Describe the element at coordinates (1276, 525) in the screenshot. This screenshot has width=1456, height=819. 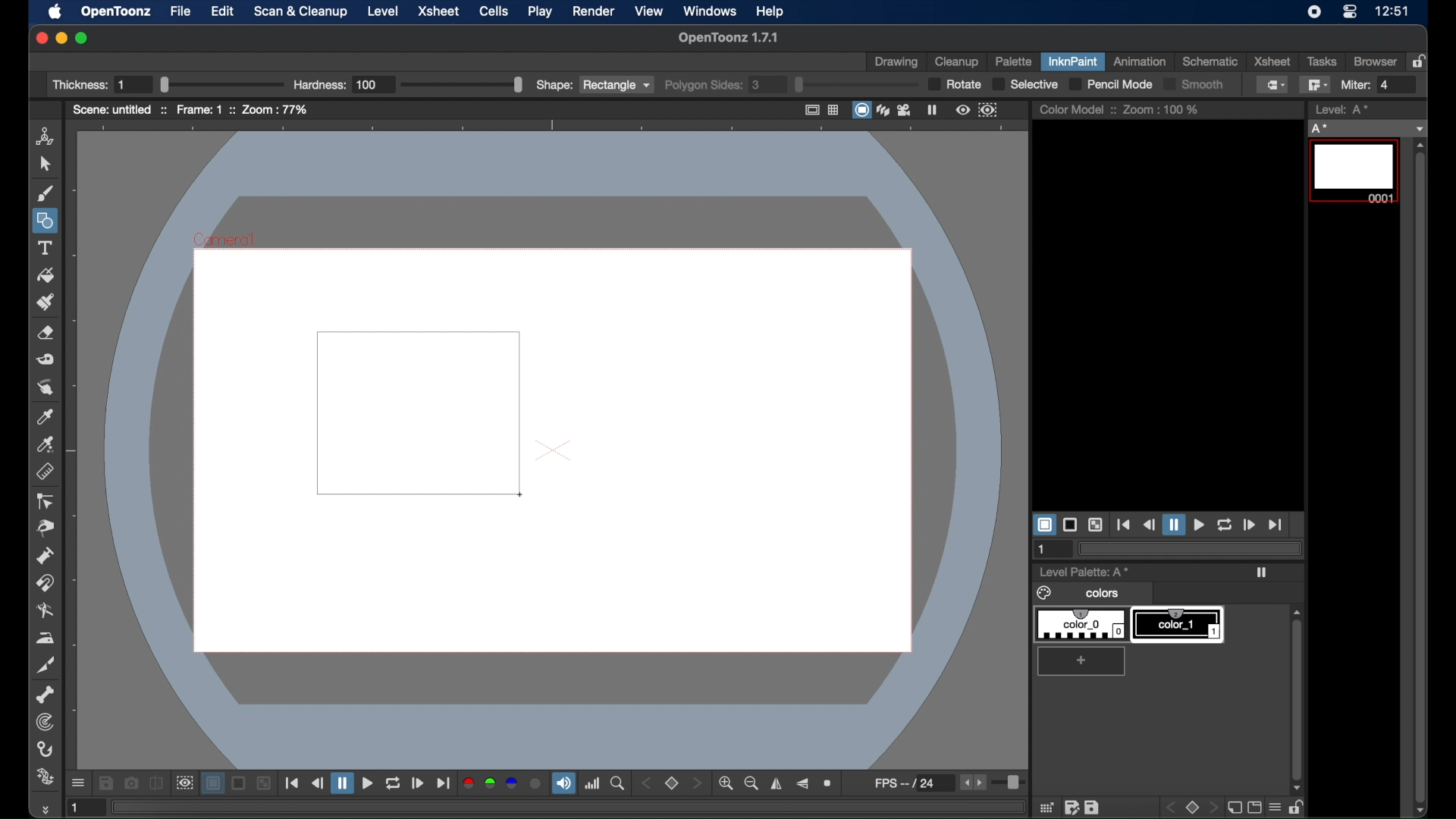
I see `jump to end` at that location.